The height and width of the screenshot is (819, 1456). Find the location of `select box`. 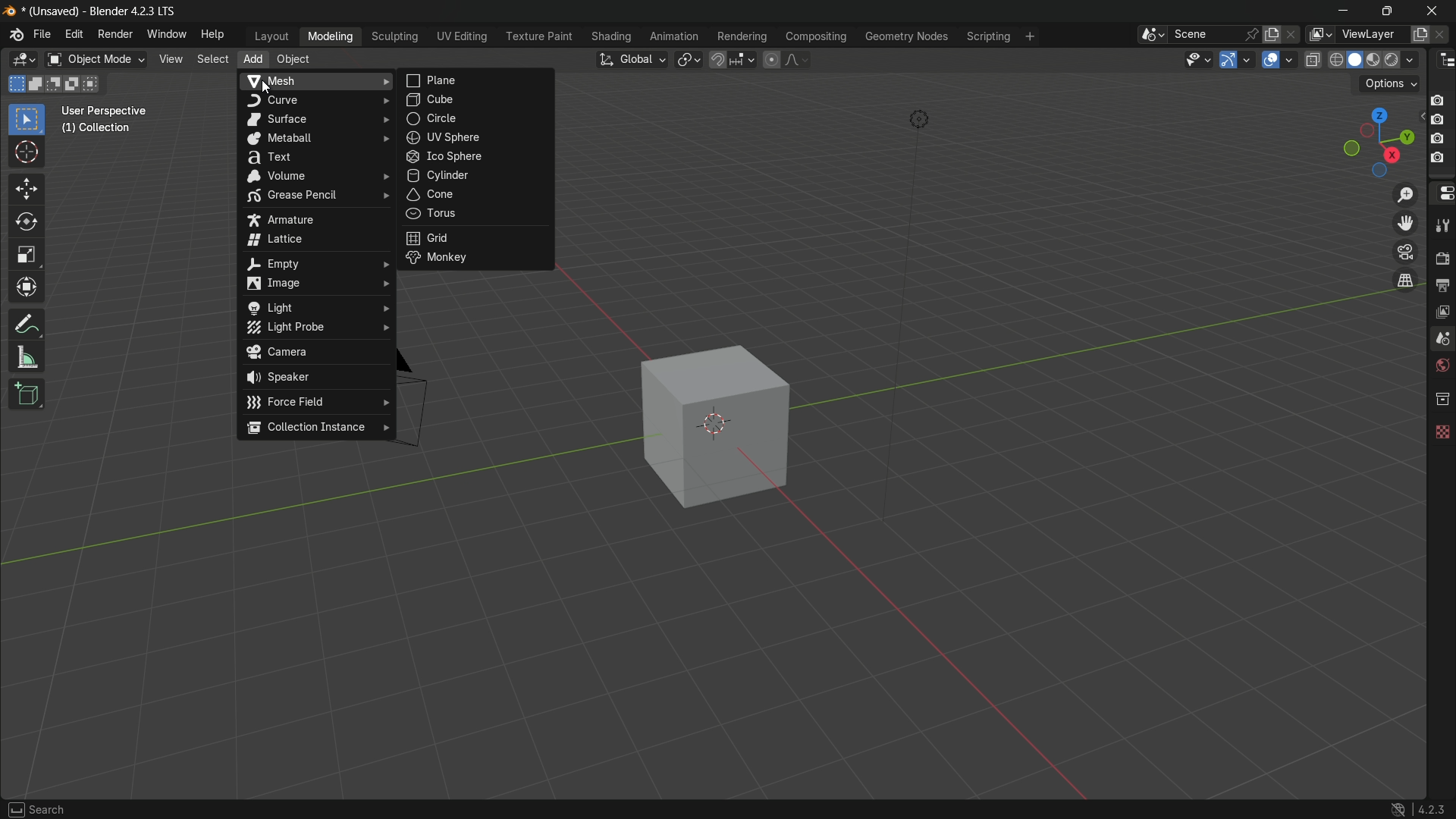

select box is located at coordinates (27, 120).